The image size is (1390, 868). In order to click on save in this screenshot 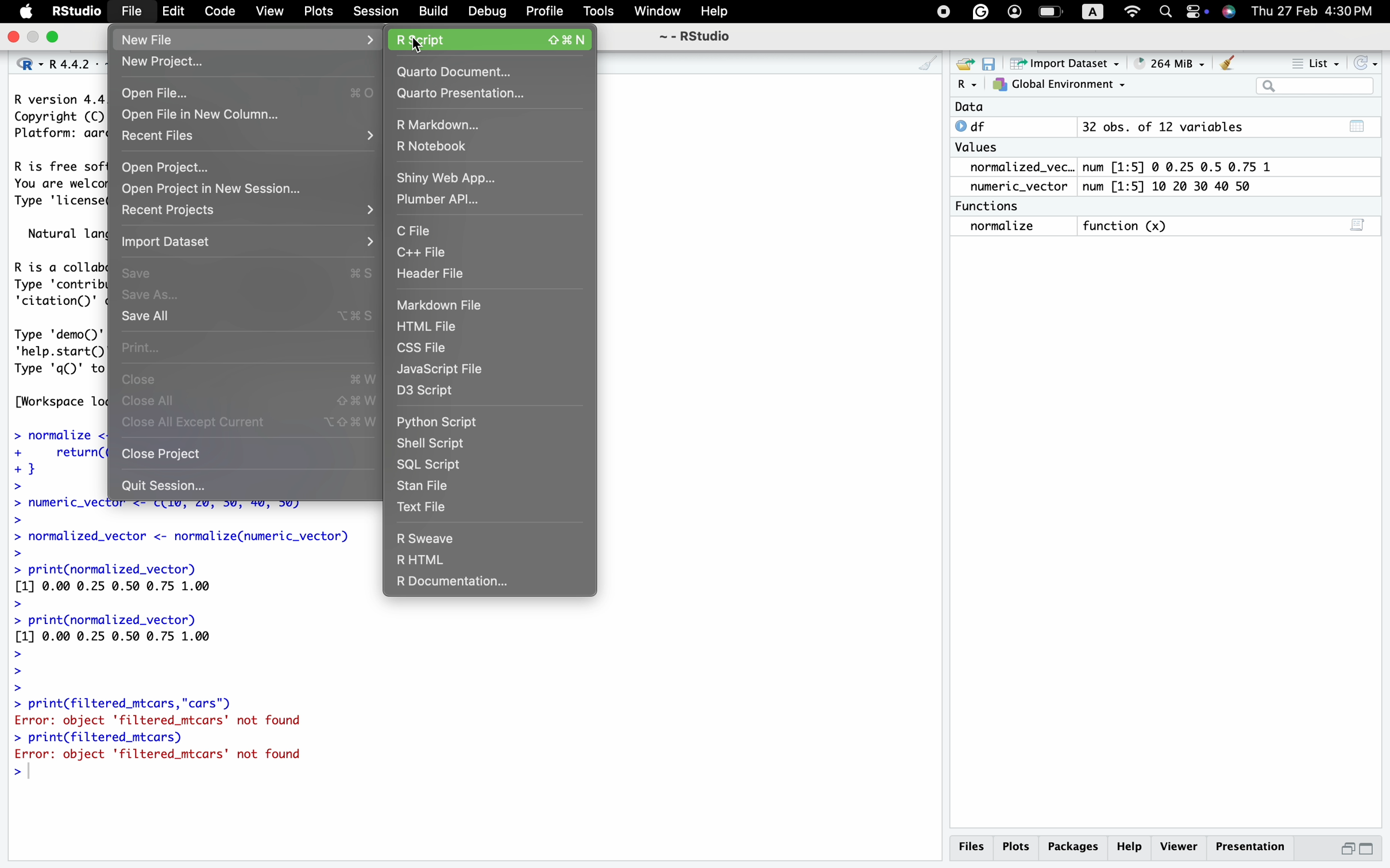, I will do `click(250, 273)`.